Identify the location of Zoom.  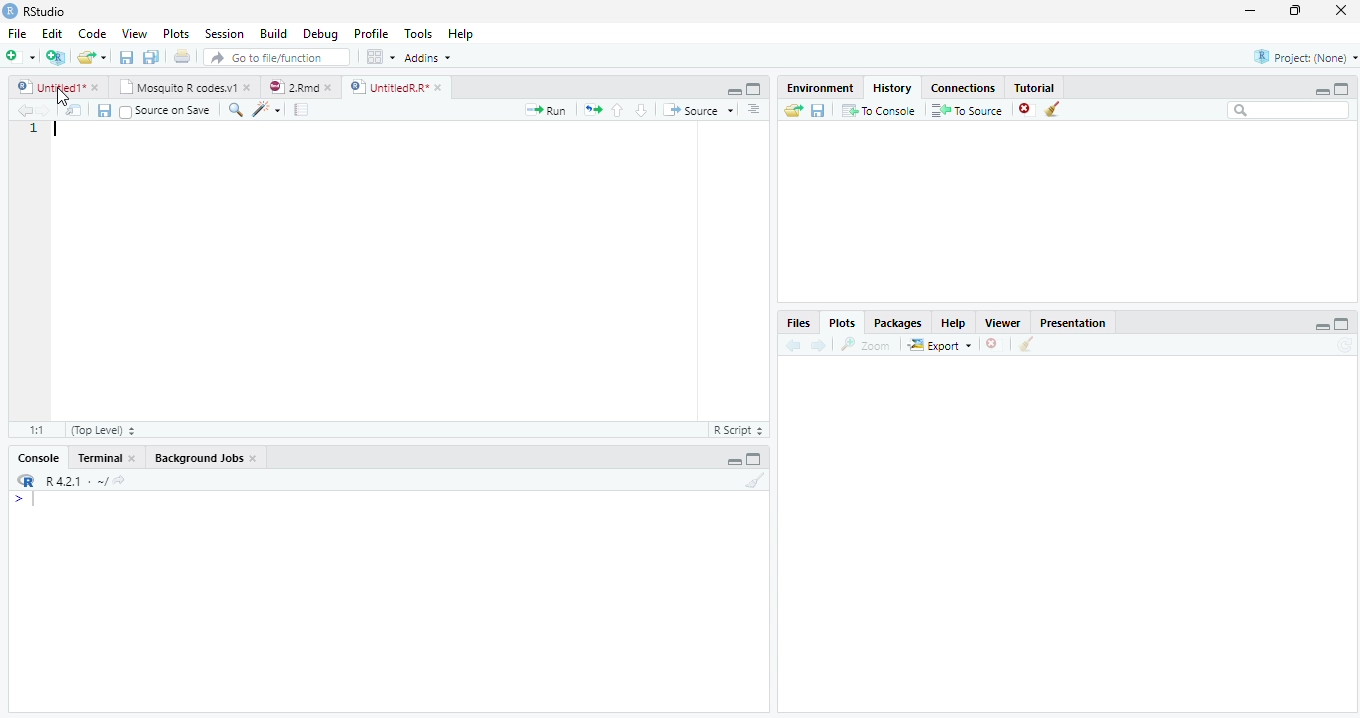
(236, 111).